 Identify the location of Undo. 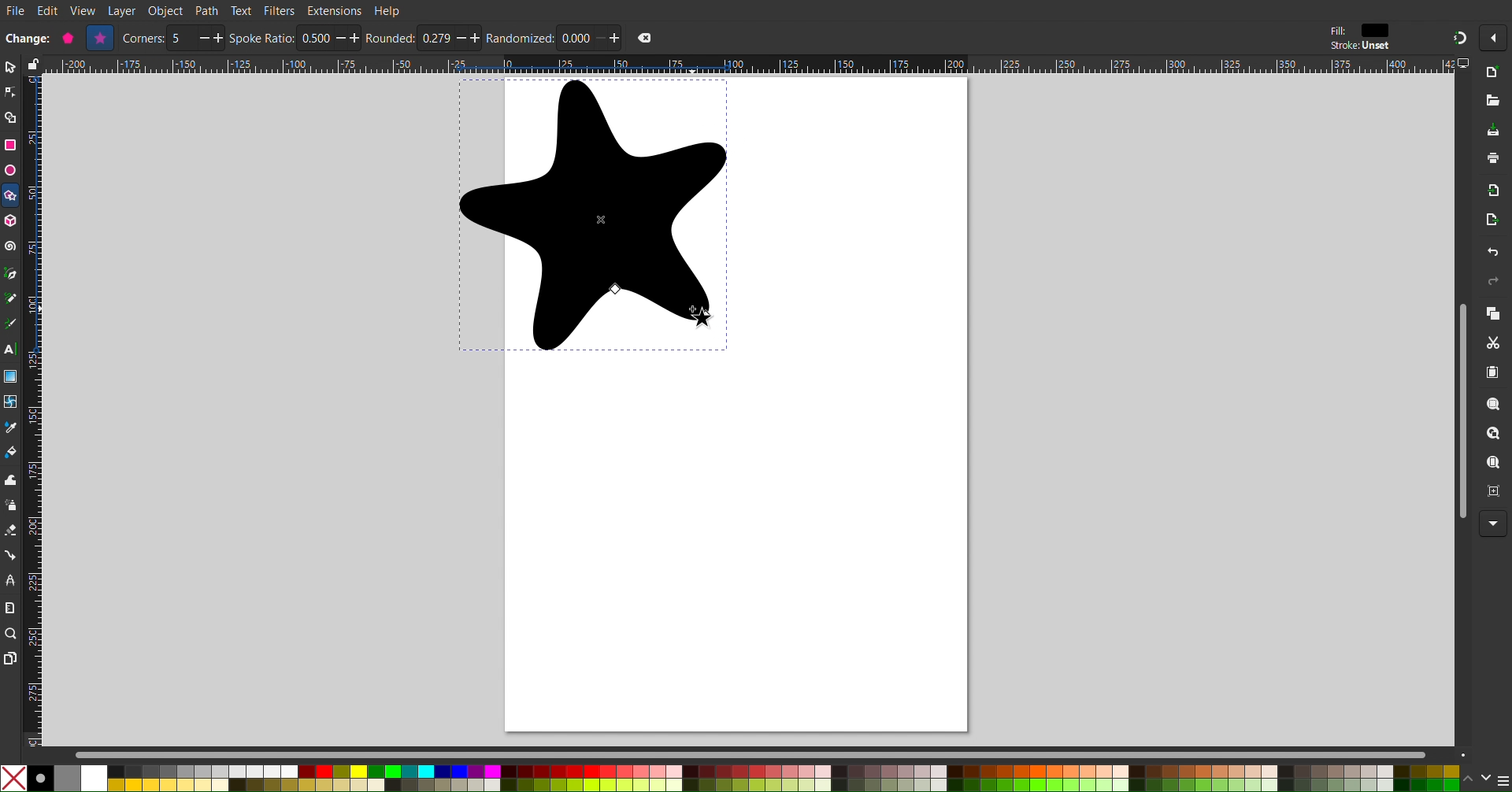
(1492, 254).